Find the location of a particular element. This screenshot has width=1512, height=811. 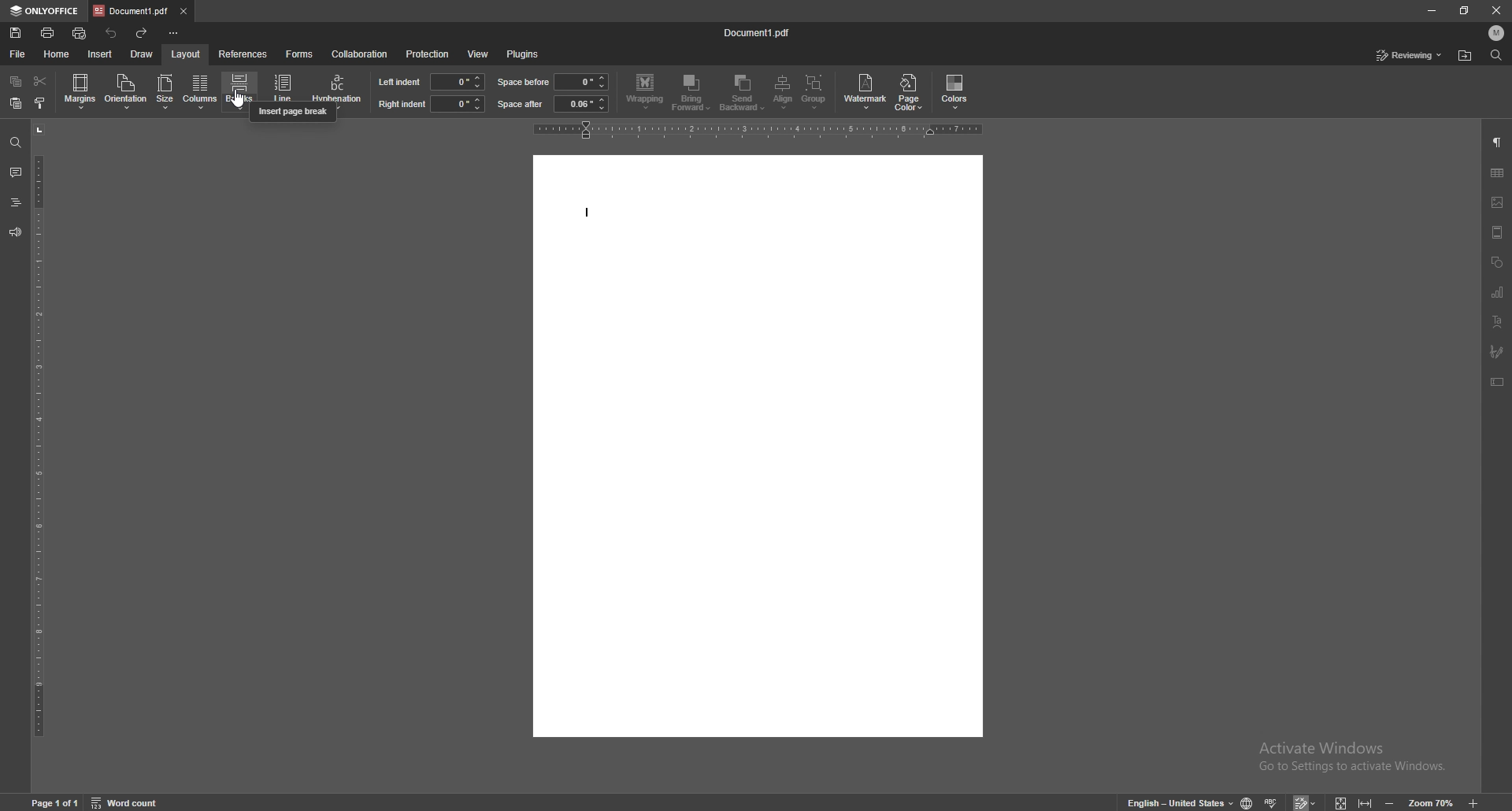

breaks is located at coordinates (240, 91).